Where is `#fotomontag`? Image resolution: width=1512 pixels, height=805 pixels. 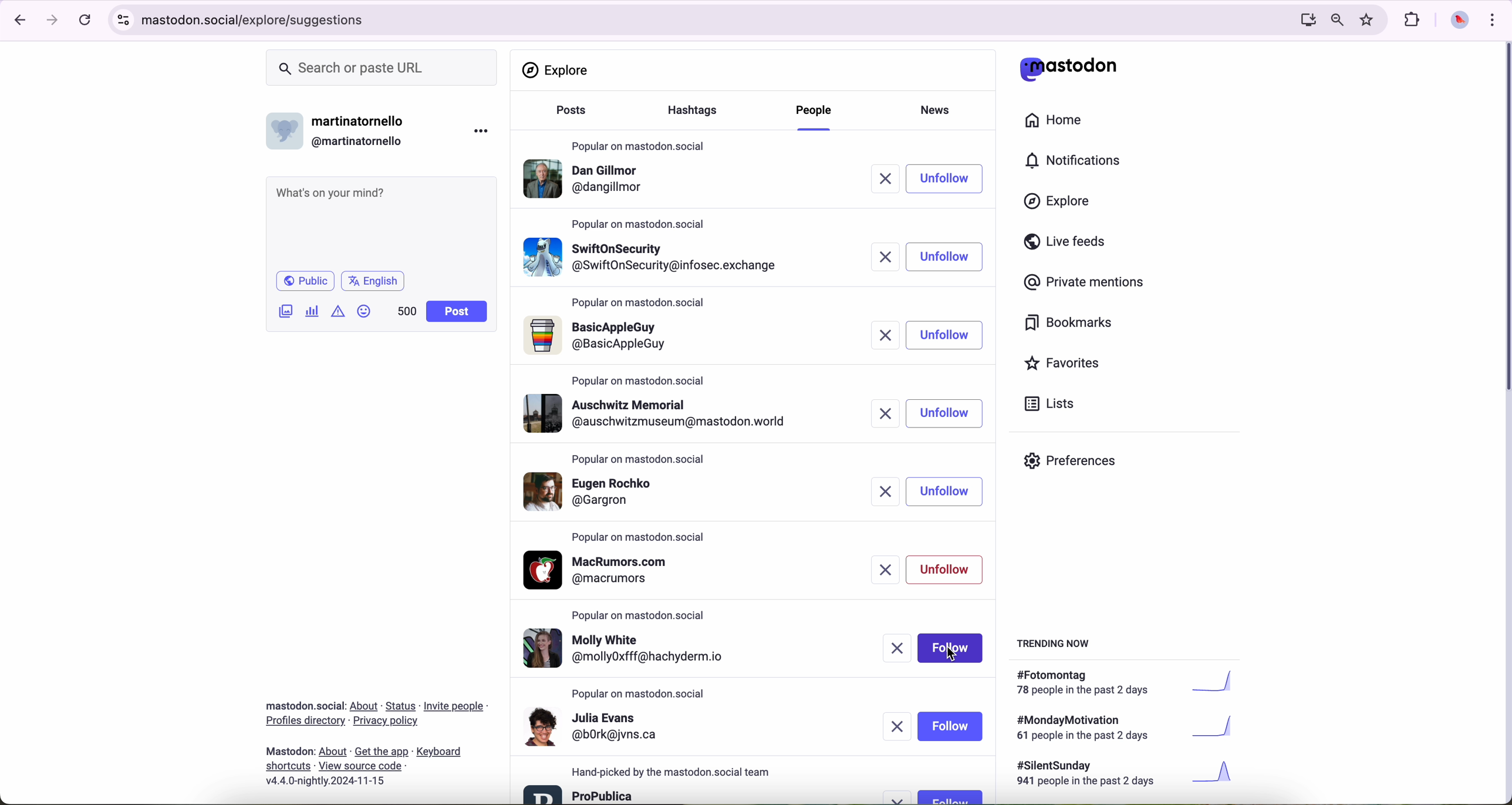
#fotomontag is located at coordinates (1133, 683).